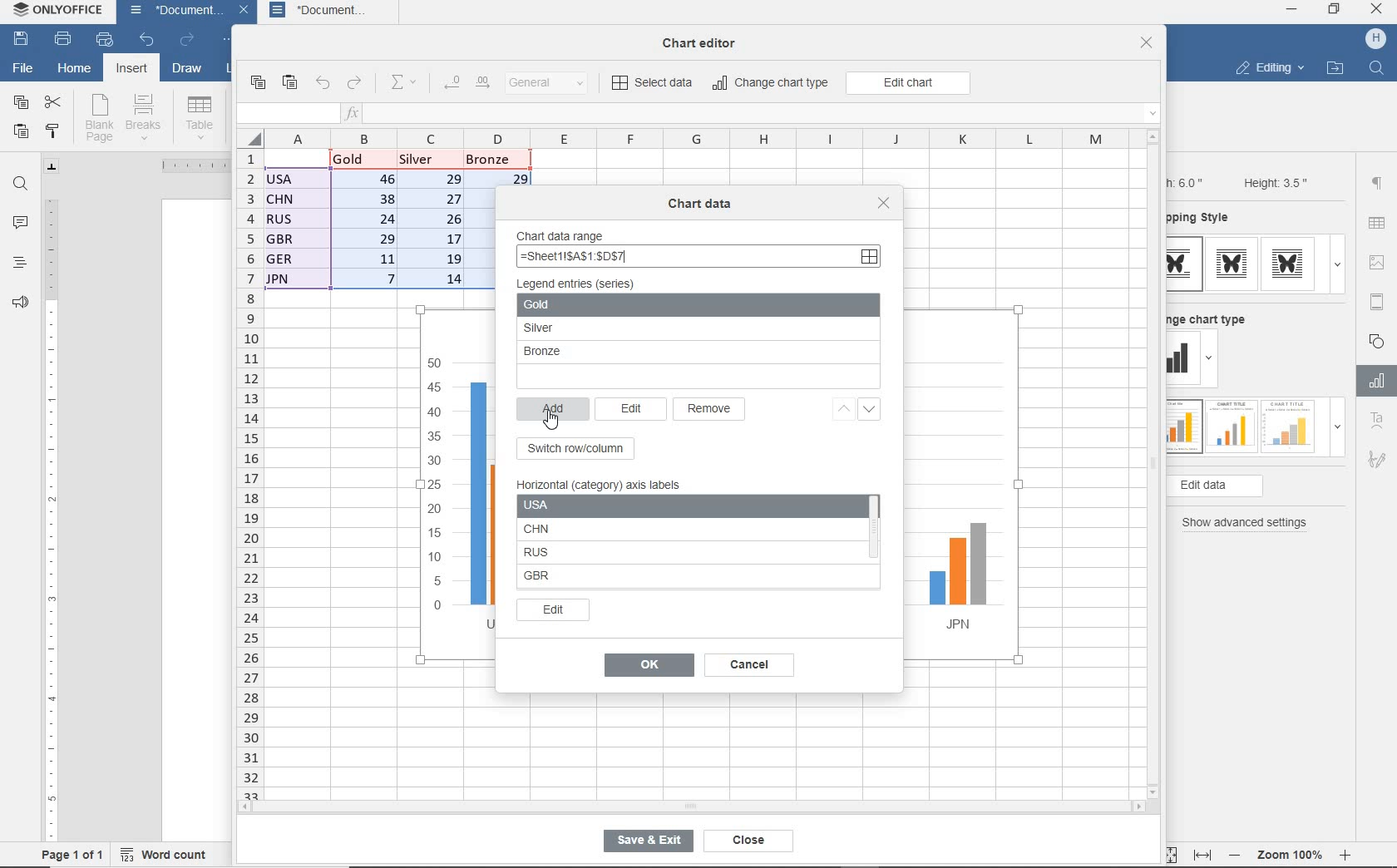 The width and height of the screenshot is (1397, 868). Describe the element at coordinates (1335, 11) in the screenshot. I see `restore down` at that location.